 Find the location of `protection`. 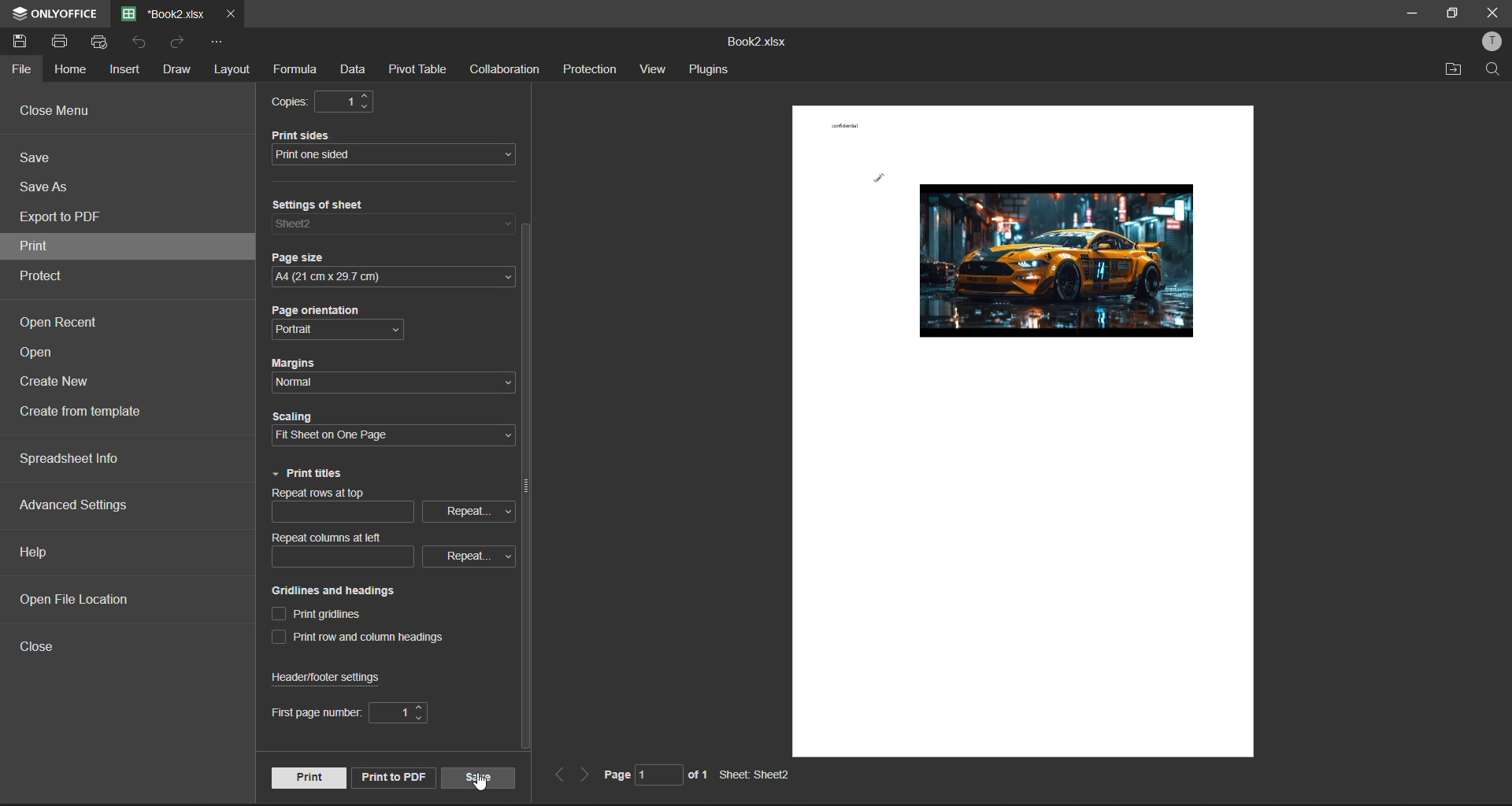

protection is located at coordinates (589, 72).